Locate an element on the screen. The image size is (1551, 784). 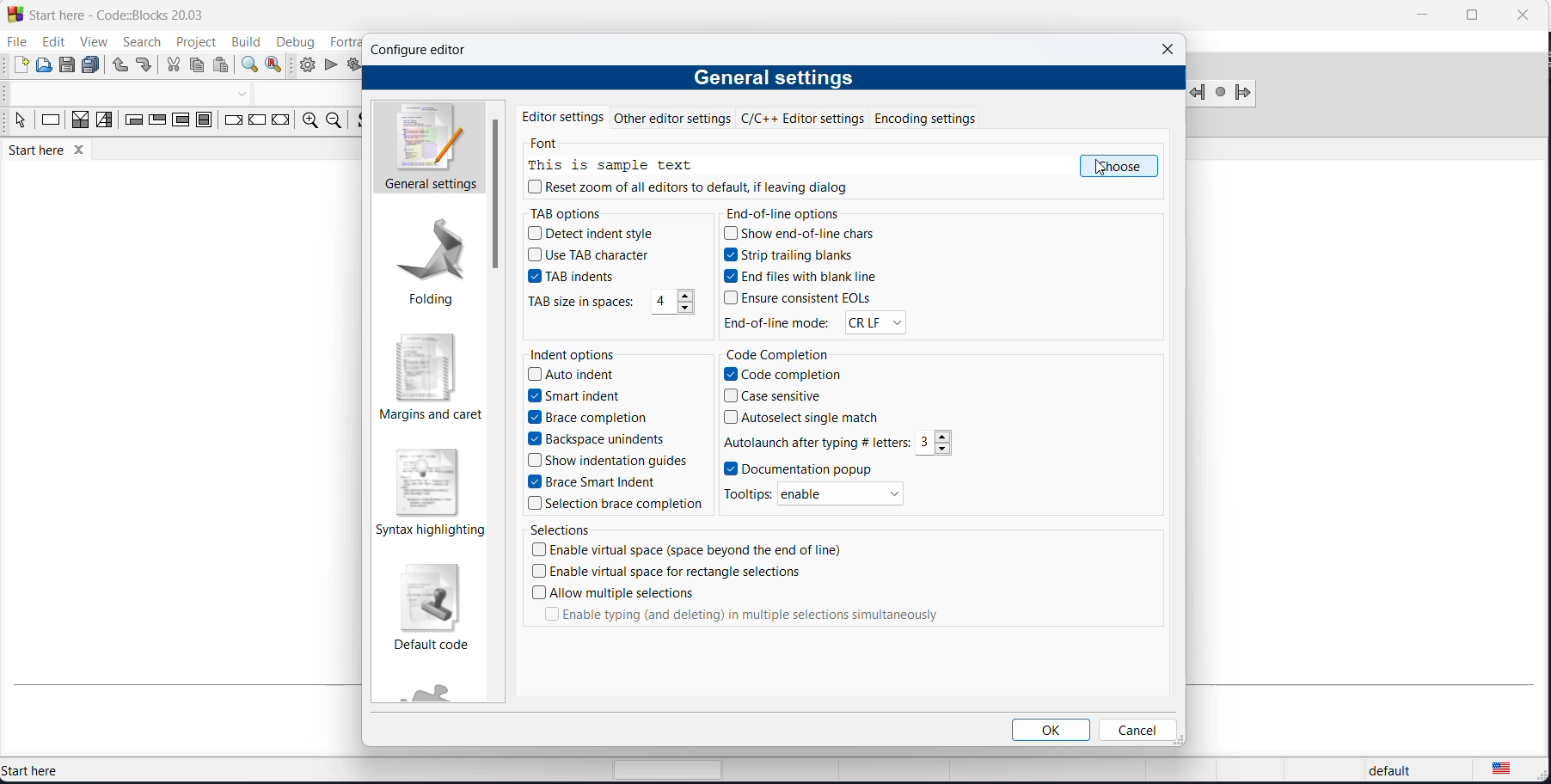
counting loop is located at coordinates (180, 122).